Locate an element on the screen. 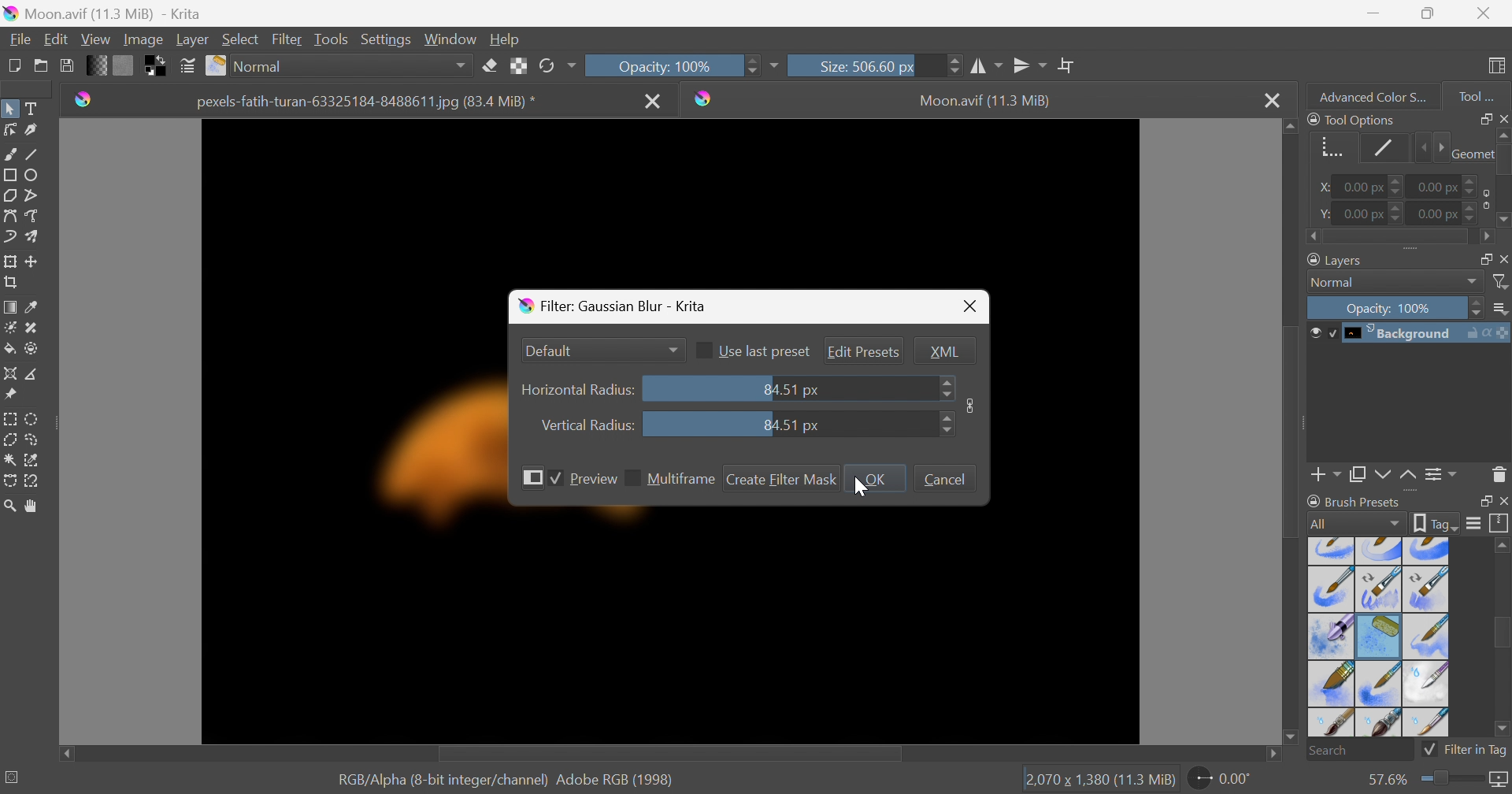 Image resolution: width=1512 pixels, height=794 pixels. 84.51 px is located at coordinates (791, 391).